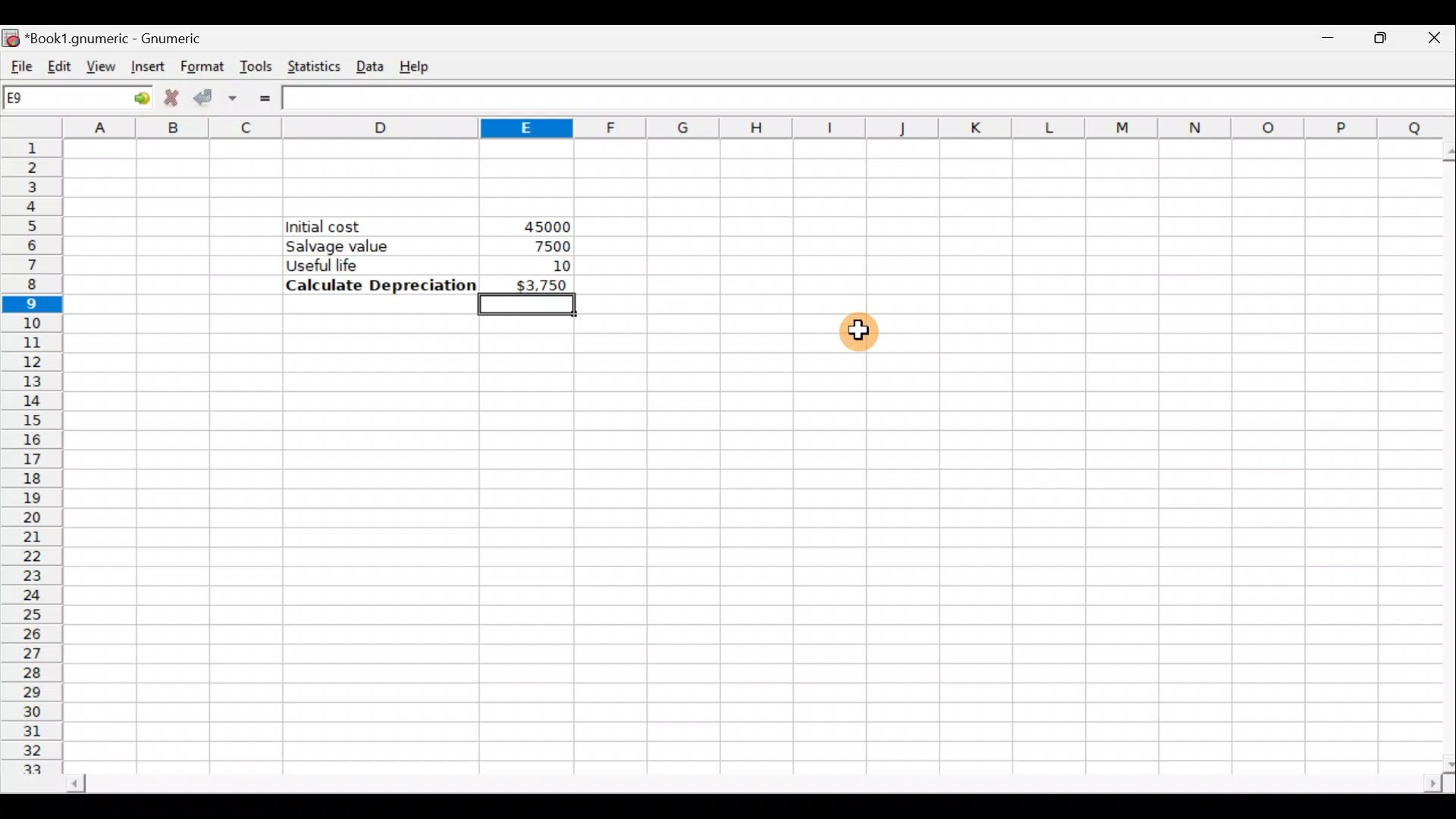 This screenshot has width=1456, height=819. What do you see at coordinates (60, 62) in the screenshot?
I see `Edit` at bounding box center [60, 62].